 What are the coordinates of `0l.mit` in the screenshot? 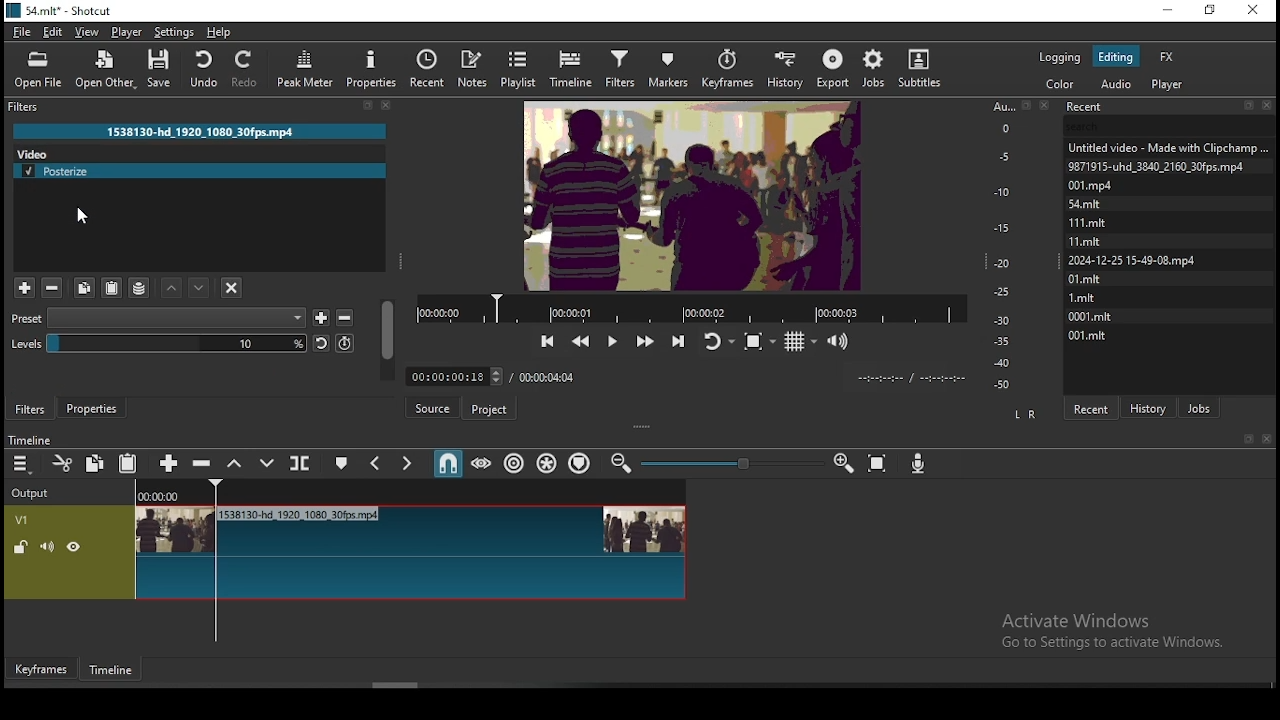 It's located at (1085, 278).